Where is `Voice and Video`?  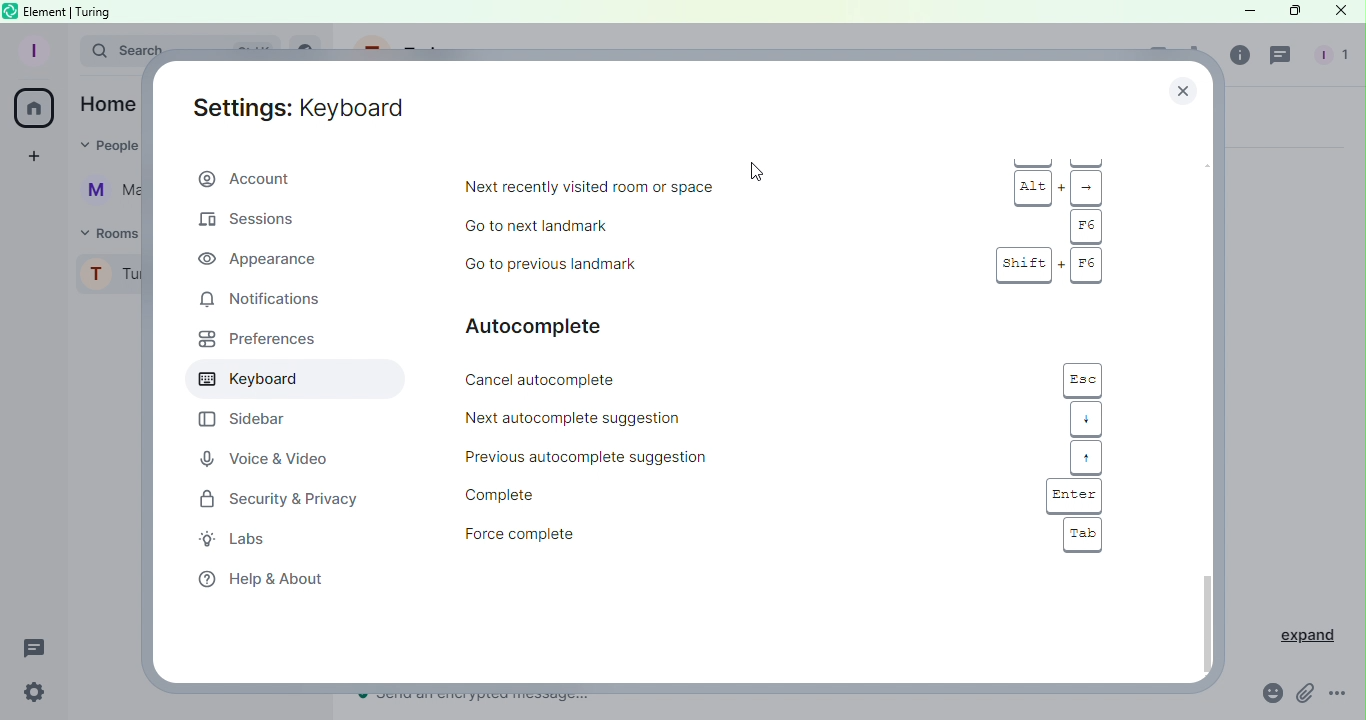 Voice and Video is located at coordinates (263, 458).